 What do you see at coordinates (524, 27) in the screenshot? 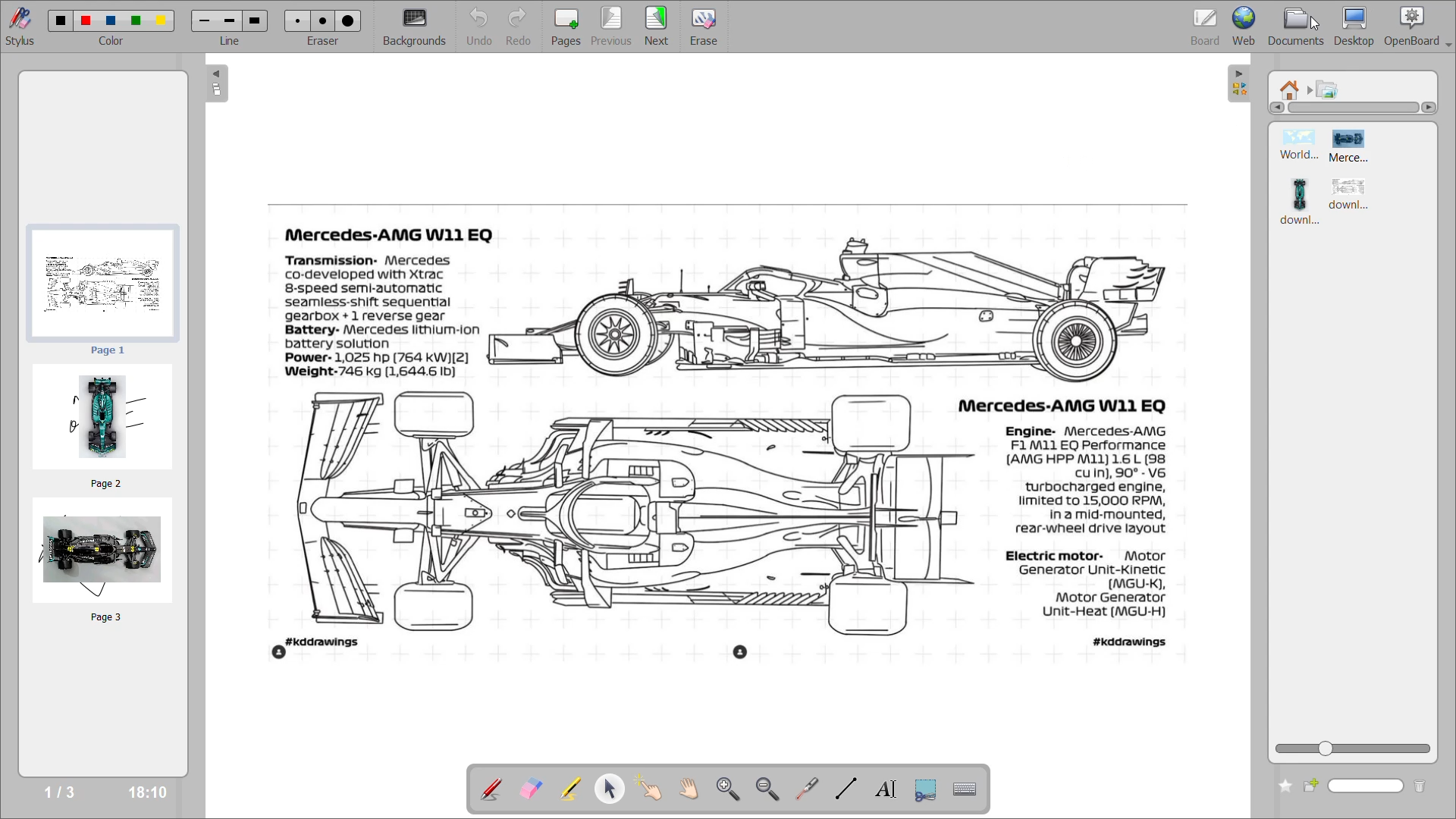
I see `redo` at bounding box center [524, 27].